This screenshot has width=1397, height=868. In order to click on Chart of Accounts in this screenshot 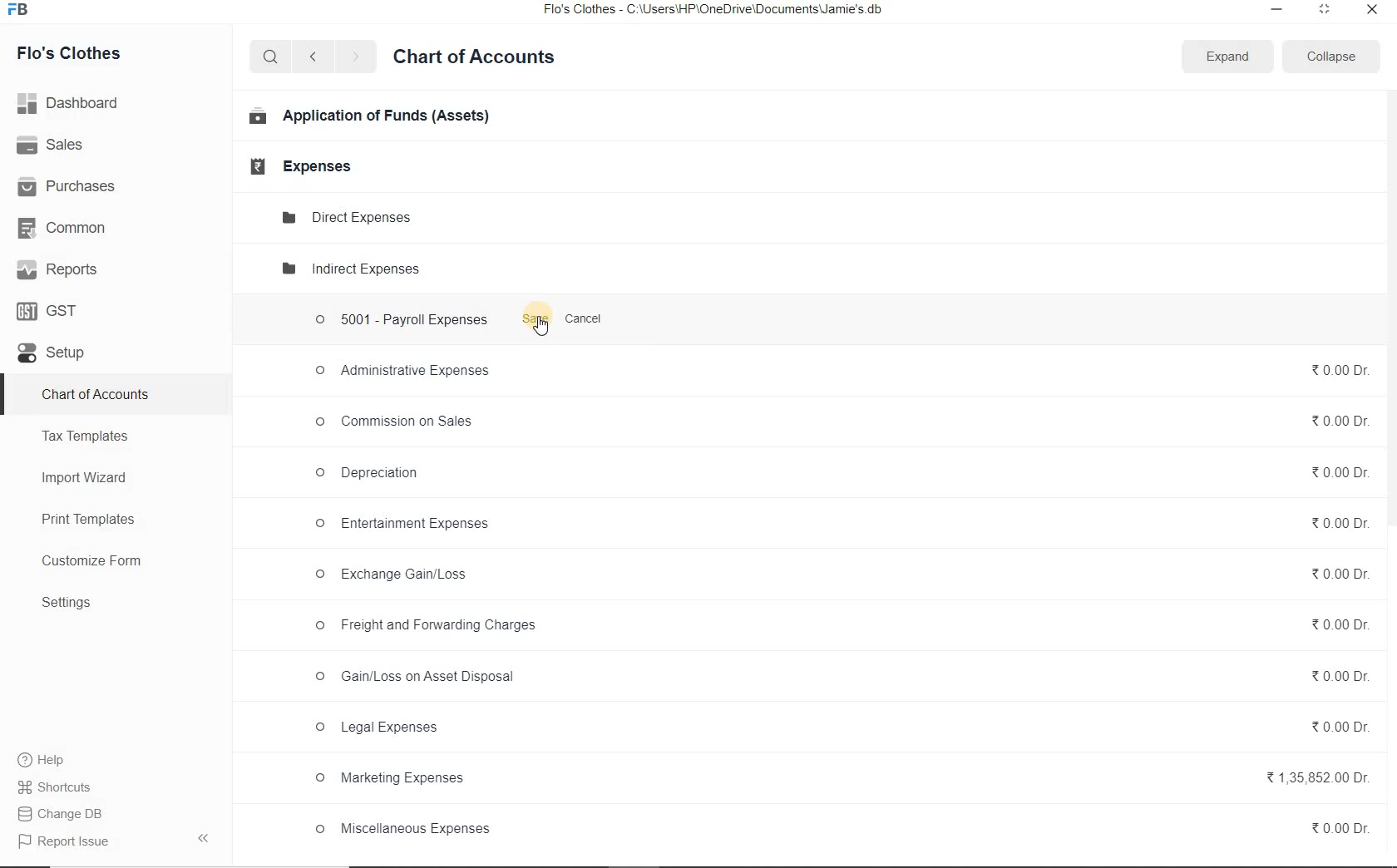, I will do `click(95, 396)`.